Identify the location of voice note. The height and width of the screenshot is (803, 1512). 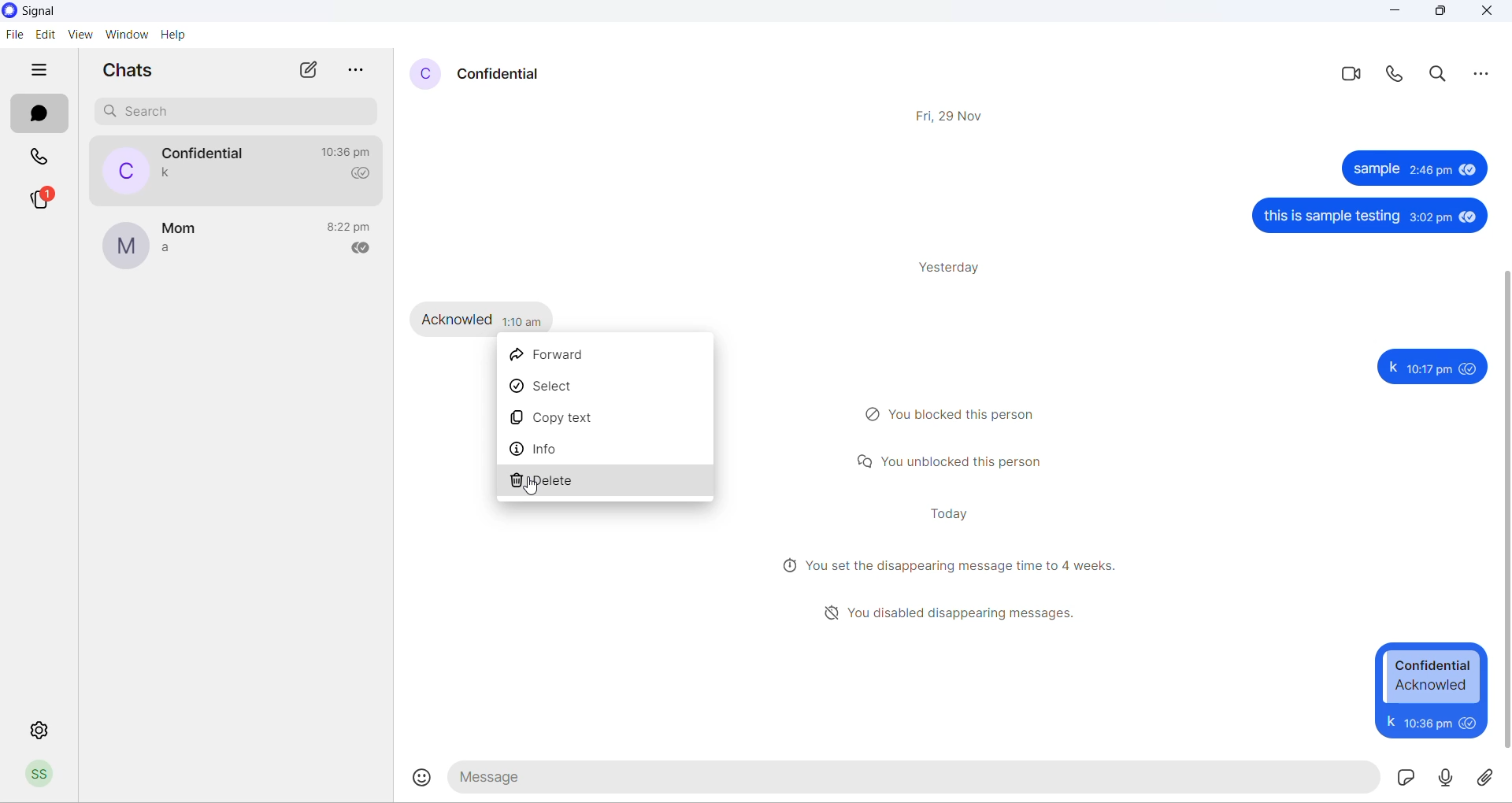
(1445, 778).